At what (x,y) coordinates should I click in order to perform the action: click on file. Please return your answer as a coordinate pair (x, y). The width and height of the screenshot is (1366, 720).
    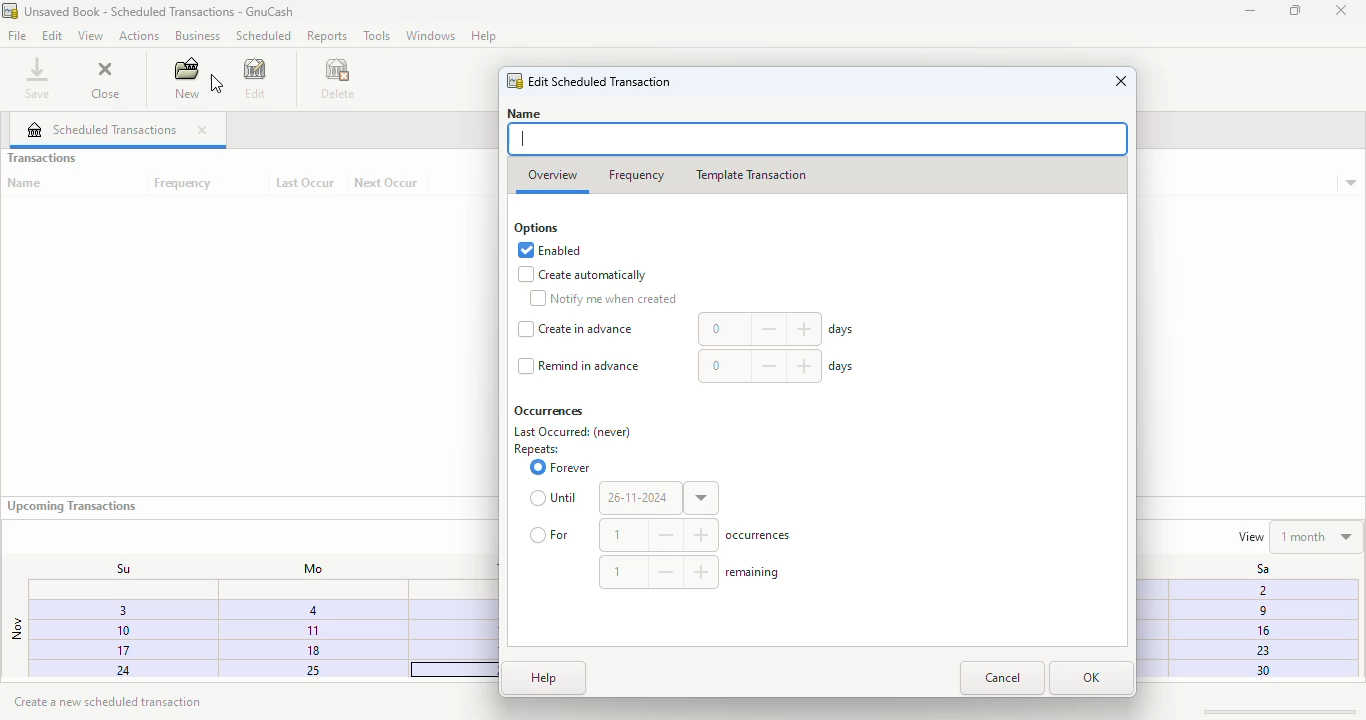
    Looking at the image, I should click on (17, 35).